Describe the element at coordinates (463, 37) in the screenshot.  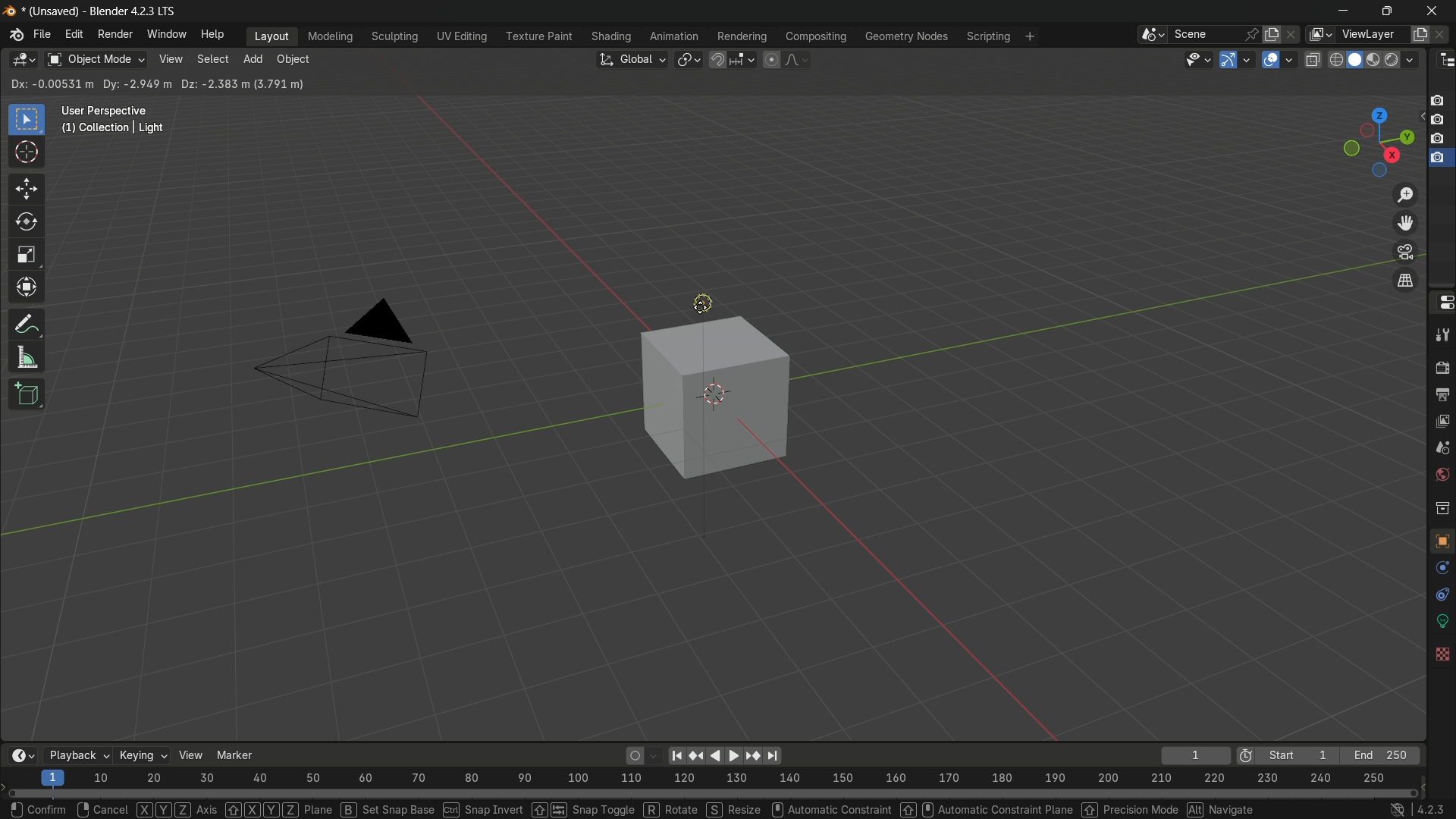
I see `uv editing menu` at that location.